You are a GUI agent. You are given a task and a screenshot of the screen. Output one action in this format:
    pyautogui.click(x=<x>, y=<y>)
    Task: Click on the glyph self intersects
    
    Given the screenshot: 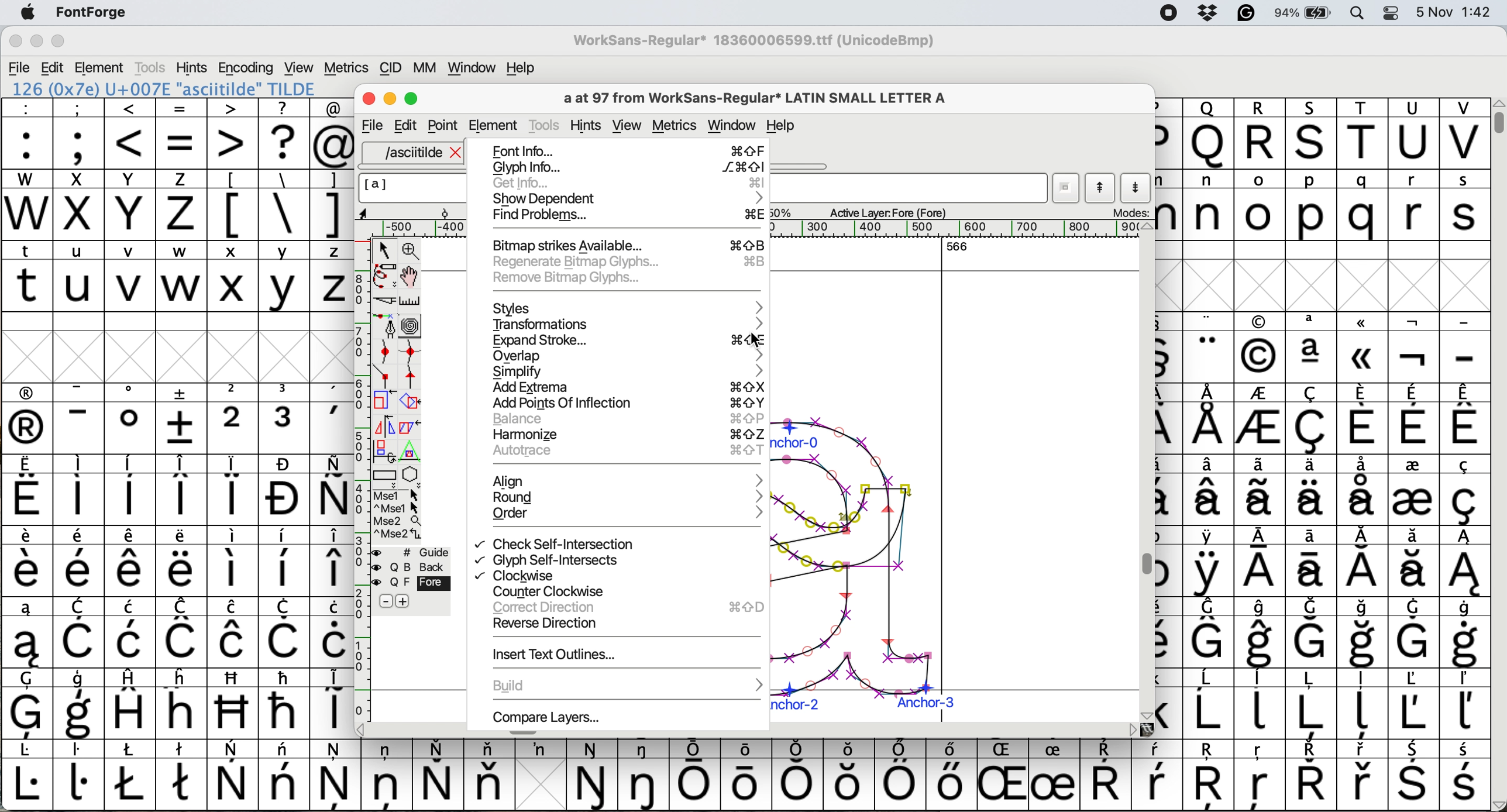 What is the action you would take?
    pyautogui.click(x=549, y=560)
    